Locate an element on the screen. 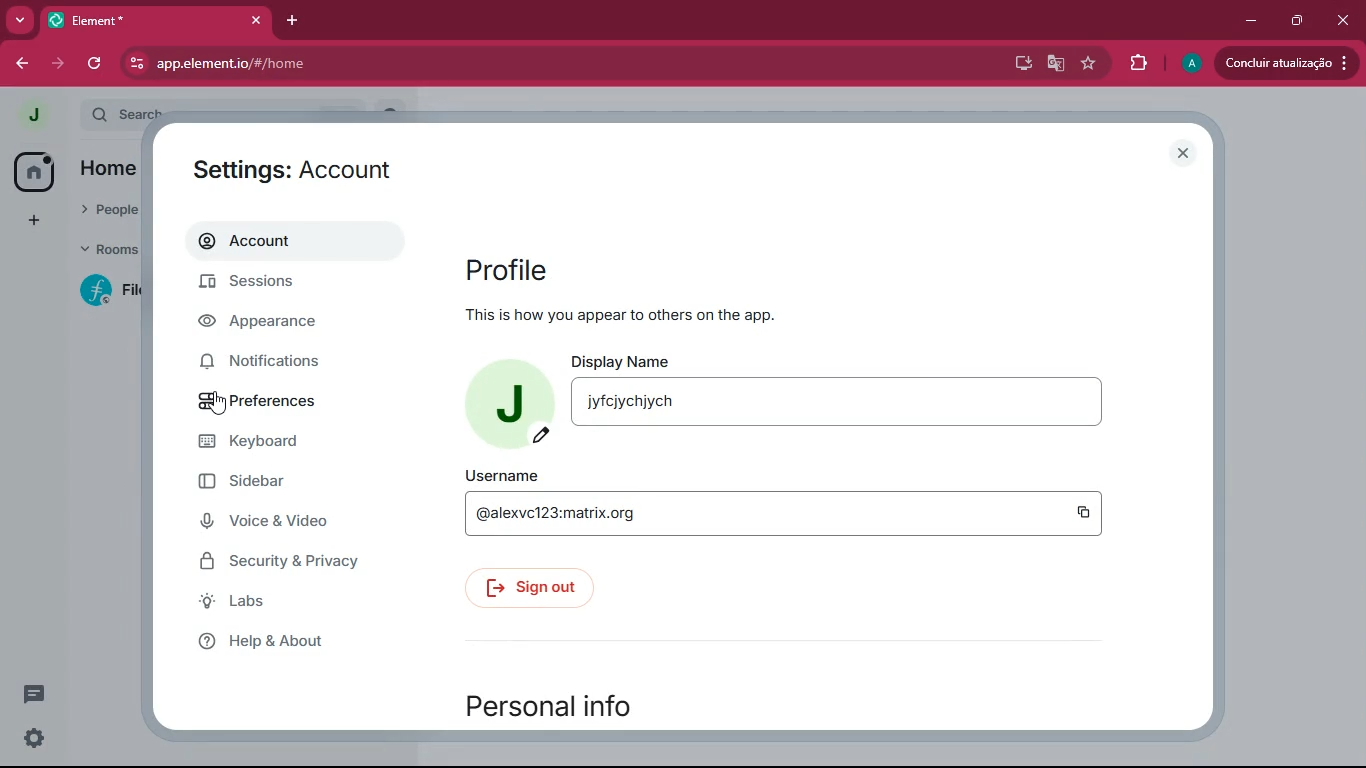 The height and width of the screenshot is (768, 1366). copy is located at coordinates (1080, 512).